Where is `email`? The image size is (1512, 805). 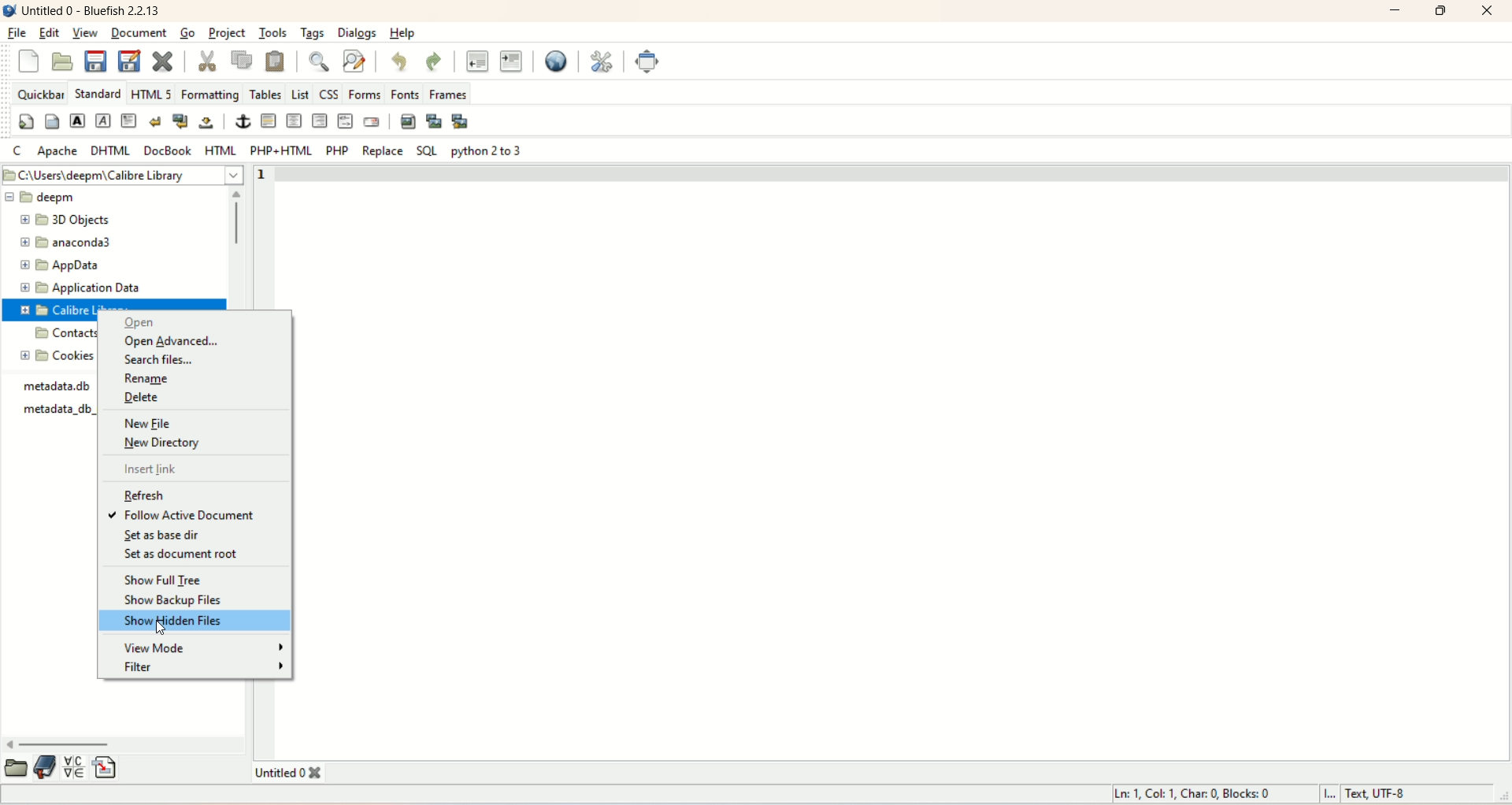
email is located at coordinates (372, 122).